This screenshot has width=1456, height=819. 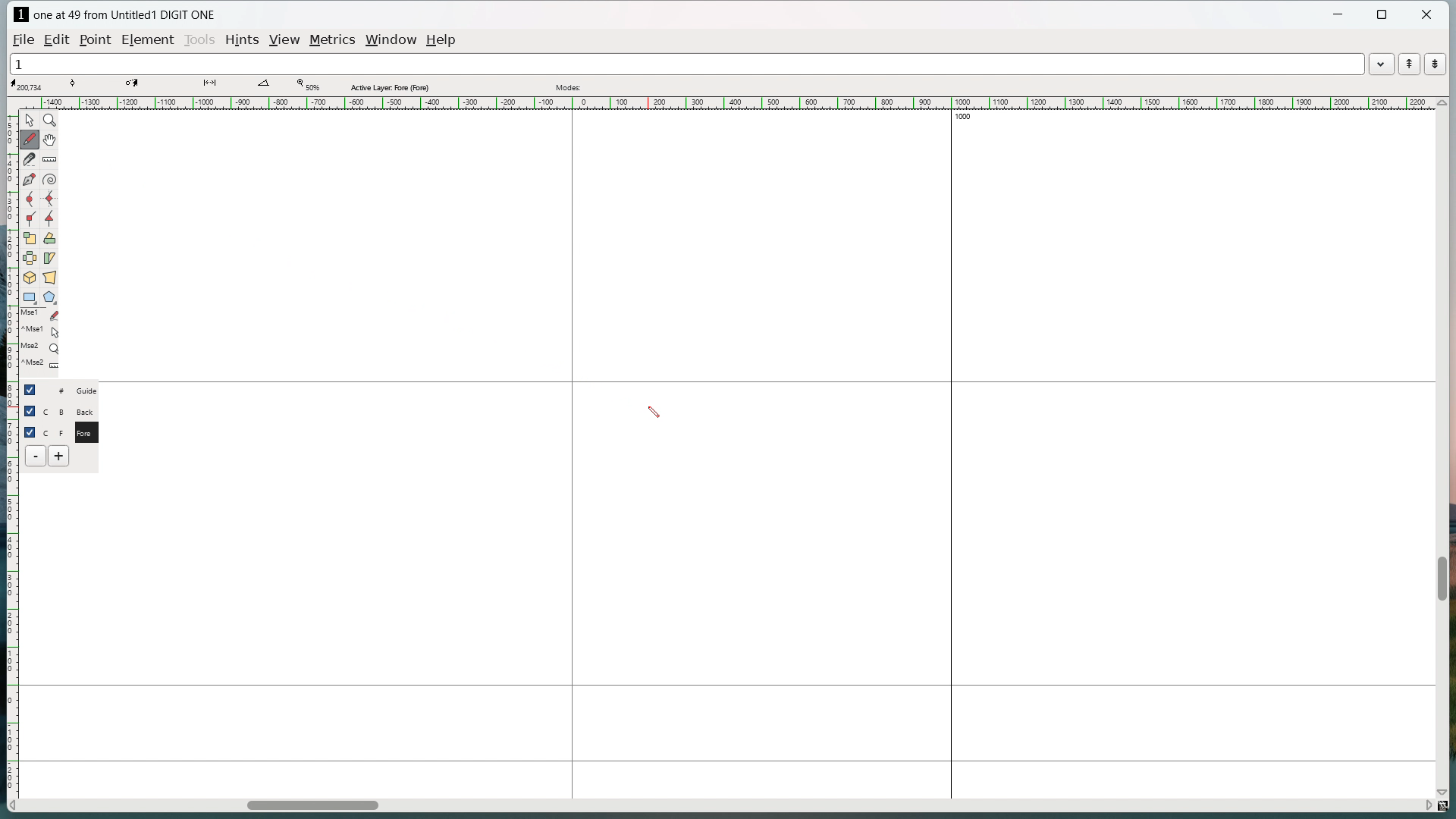 I want to click on rotate selection in 3d and project back to the place, so click(x=30, y=277).